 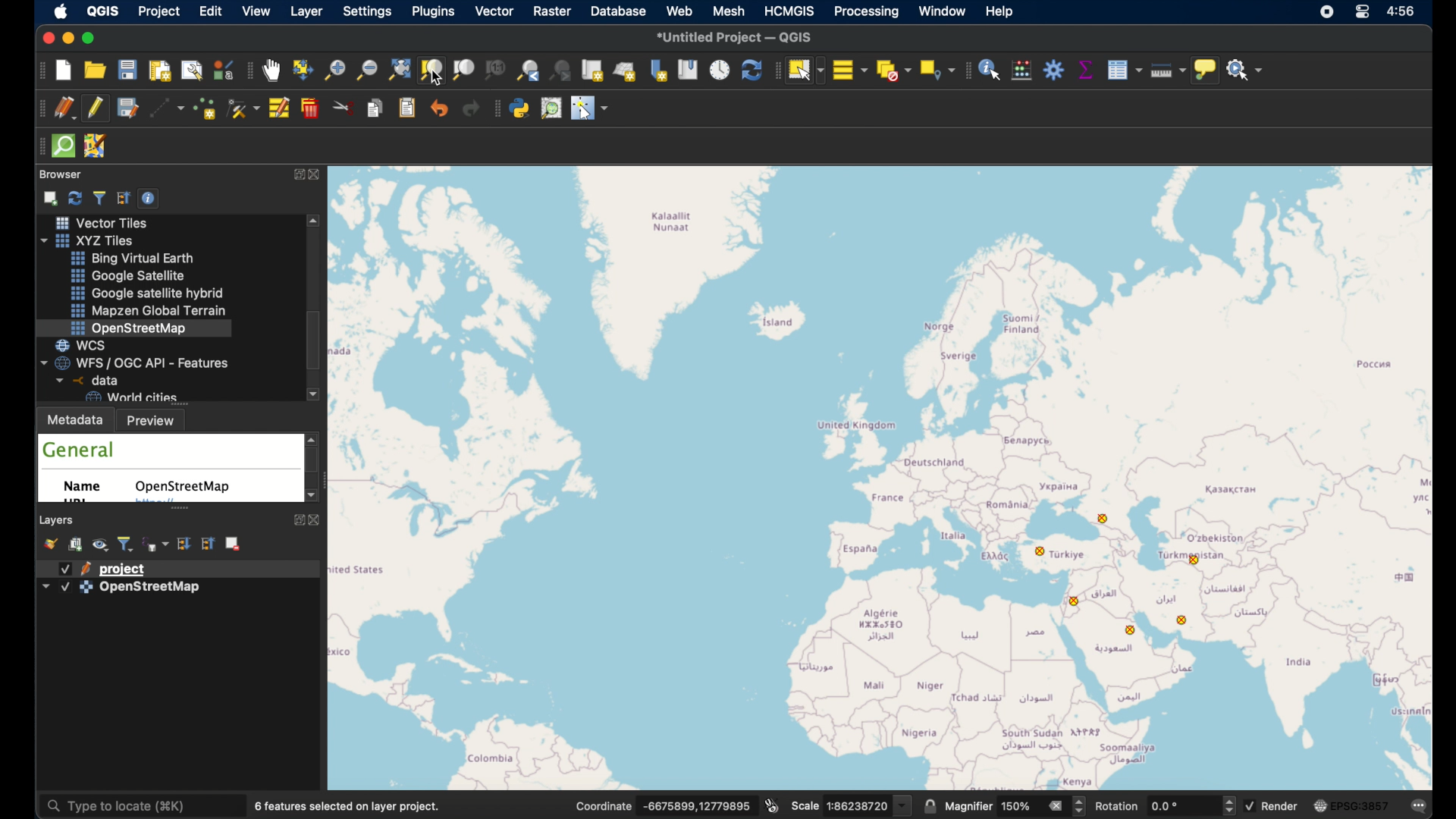 I want to click on openstreetmap, so click(x=130, y=328).